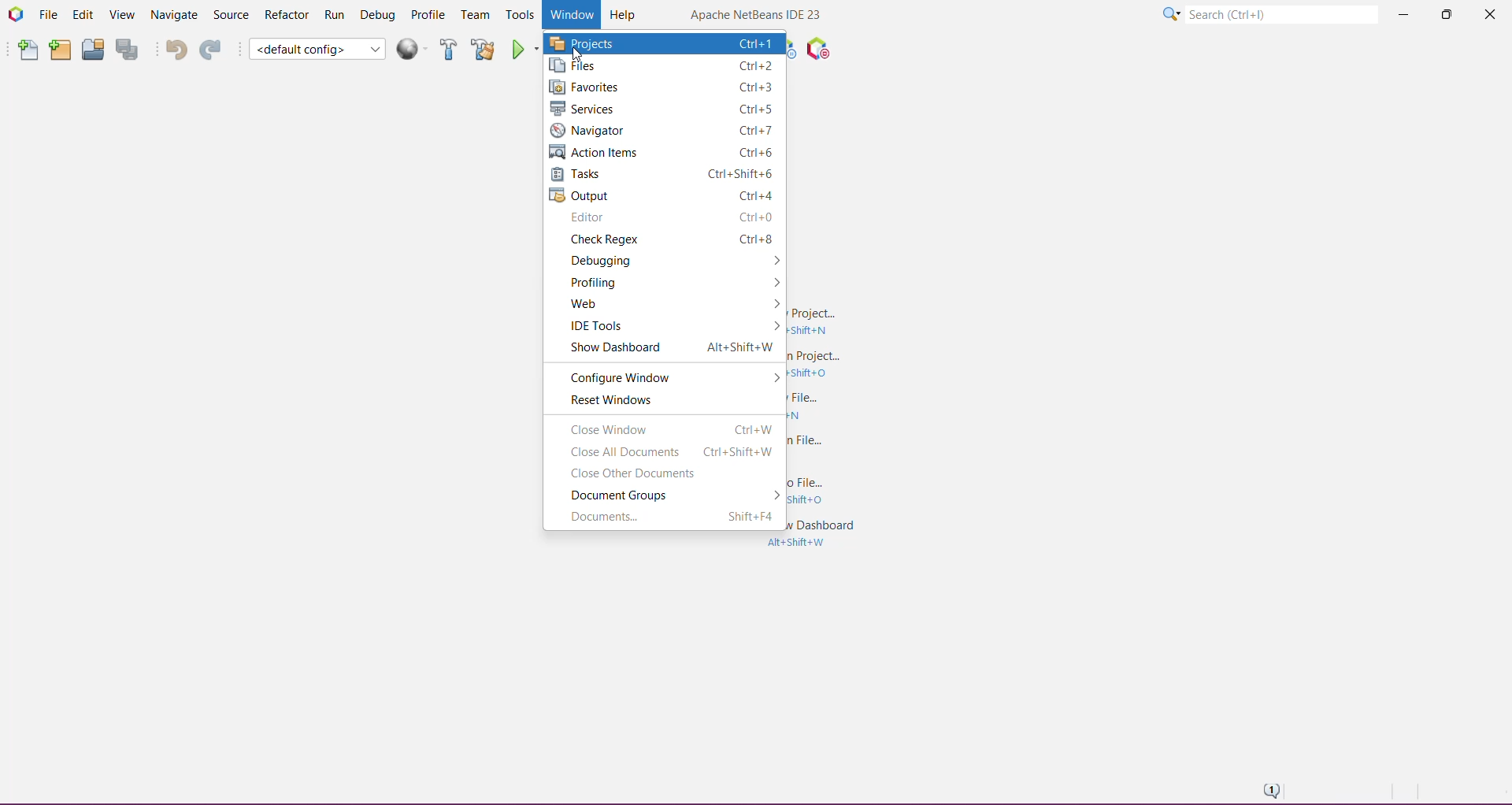  Describe the element at coordinates (59, 50) in the screenshot. I see `New Project` at that location.